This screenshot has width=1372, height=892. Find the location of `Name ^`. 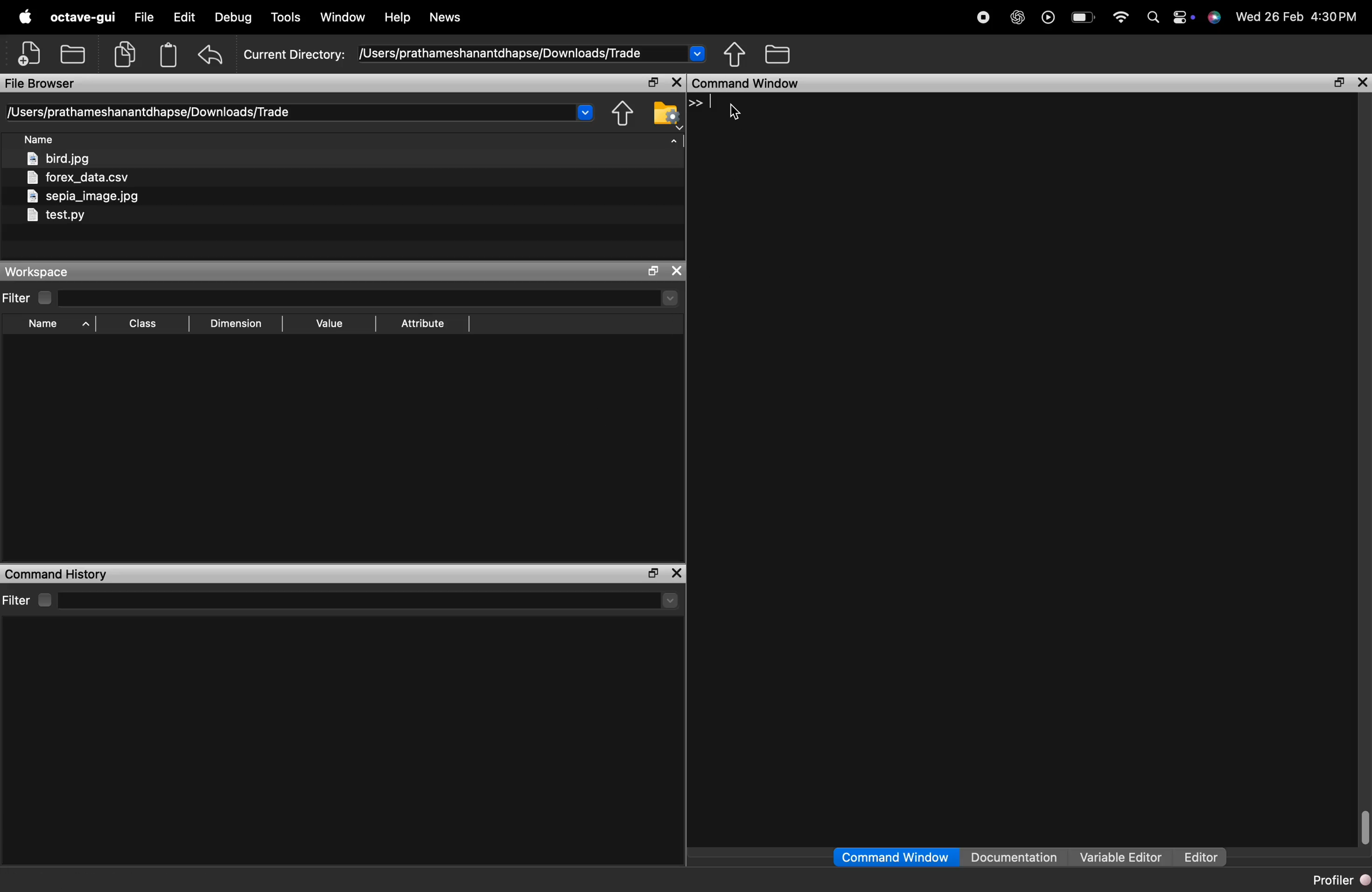

Name ^ is located at coordinates (59, 324).